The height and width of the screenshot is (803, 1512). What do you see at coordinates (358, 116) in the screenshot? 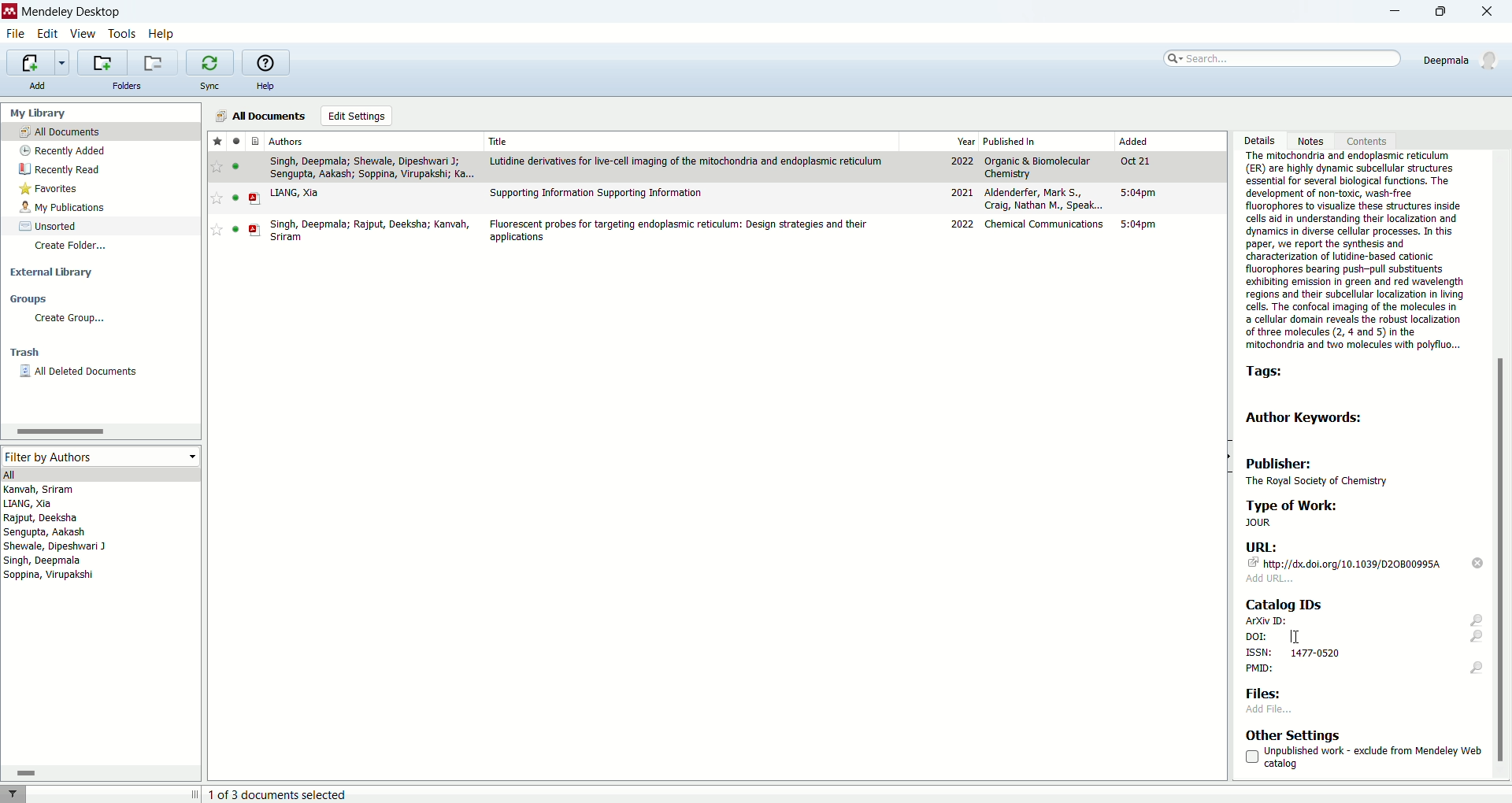
I see `edit settings` at bounding box center [358, 116].